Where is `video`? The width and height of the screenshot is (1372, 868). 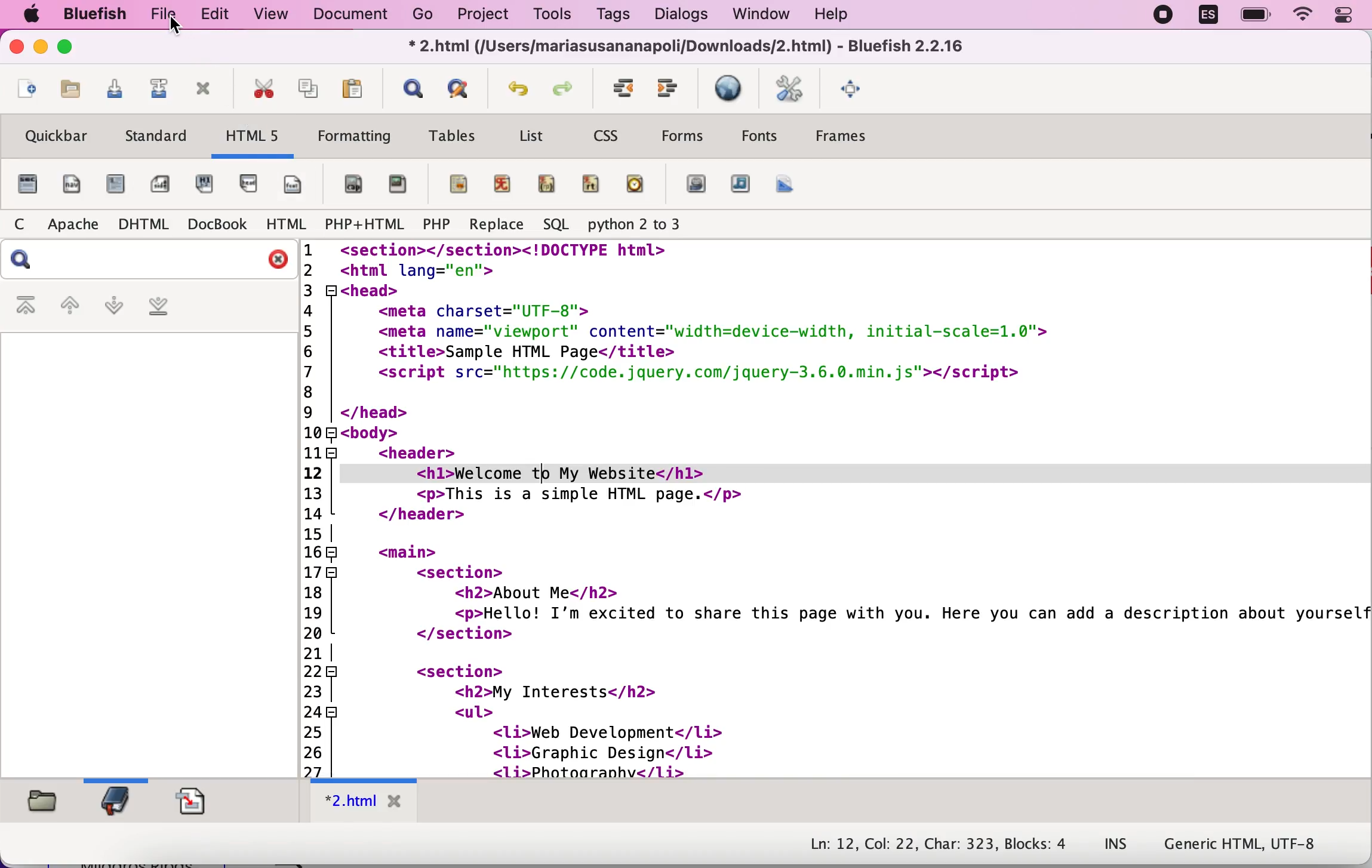 video is located at coordinates (694, 186).